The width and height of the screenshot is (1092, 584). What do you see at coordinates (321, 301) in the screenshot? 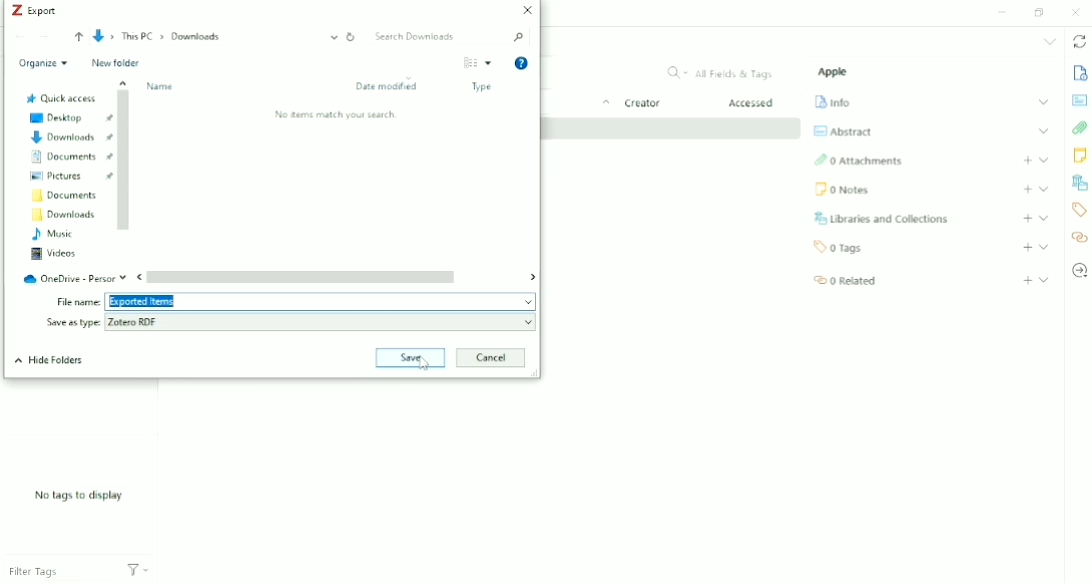
I see `Exported items` at bounding box center [321, 301].